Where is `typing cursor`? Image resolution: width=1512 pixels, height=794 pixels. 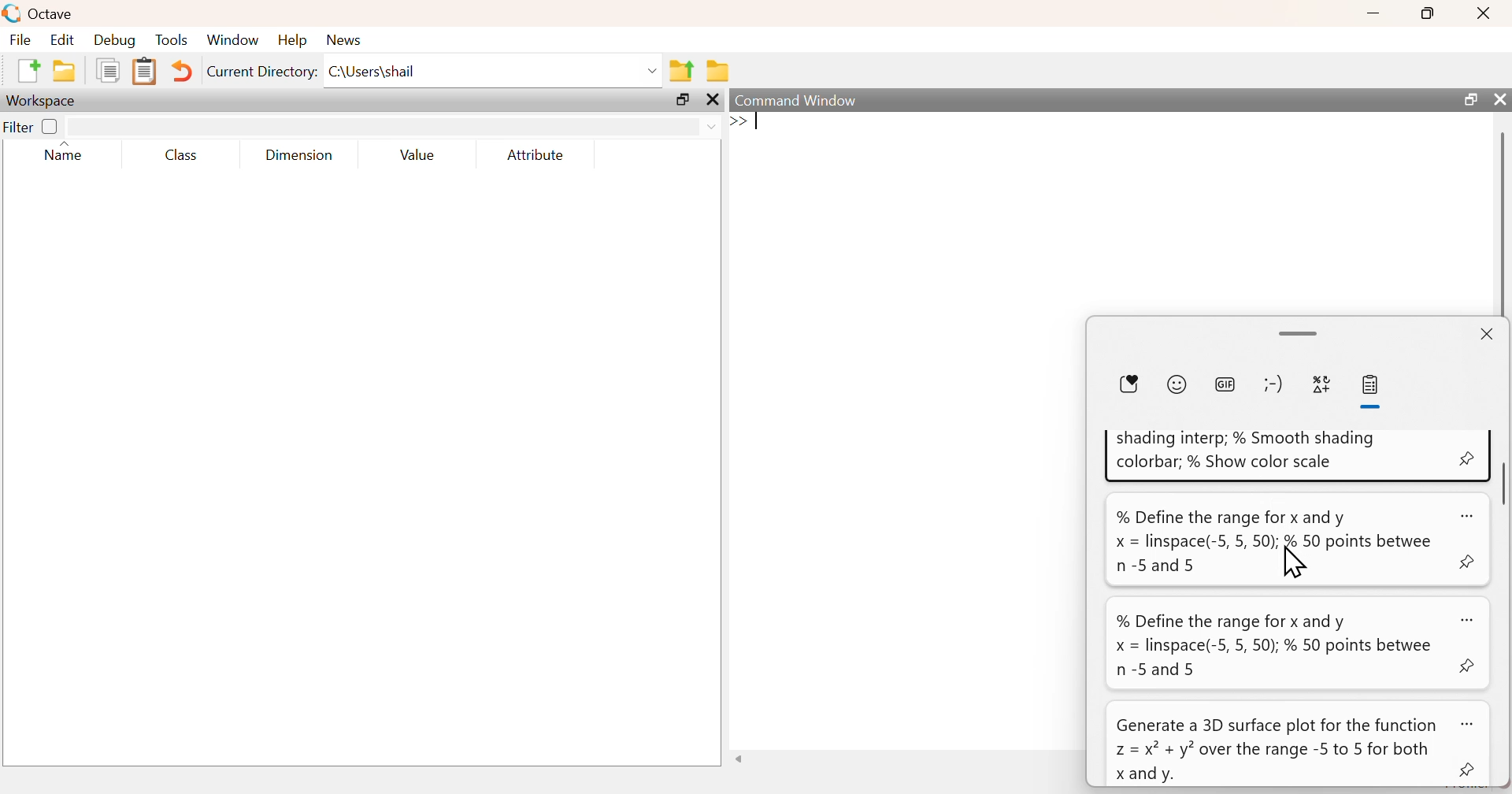
typing cursor is located at coordinates (747, 123).